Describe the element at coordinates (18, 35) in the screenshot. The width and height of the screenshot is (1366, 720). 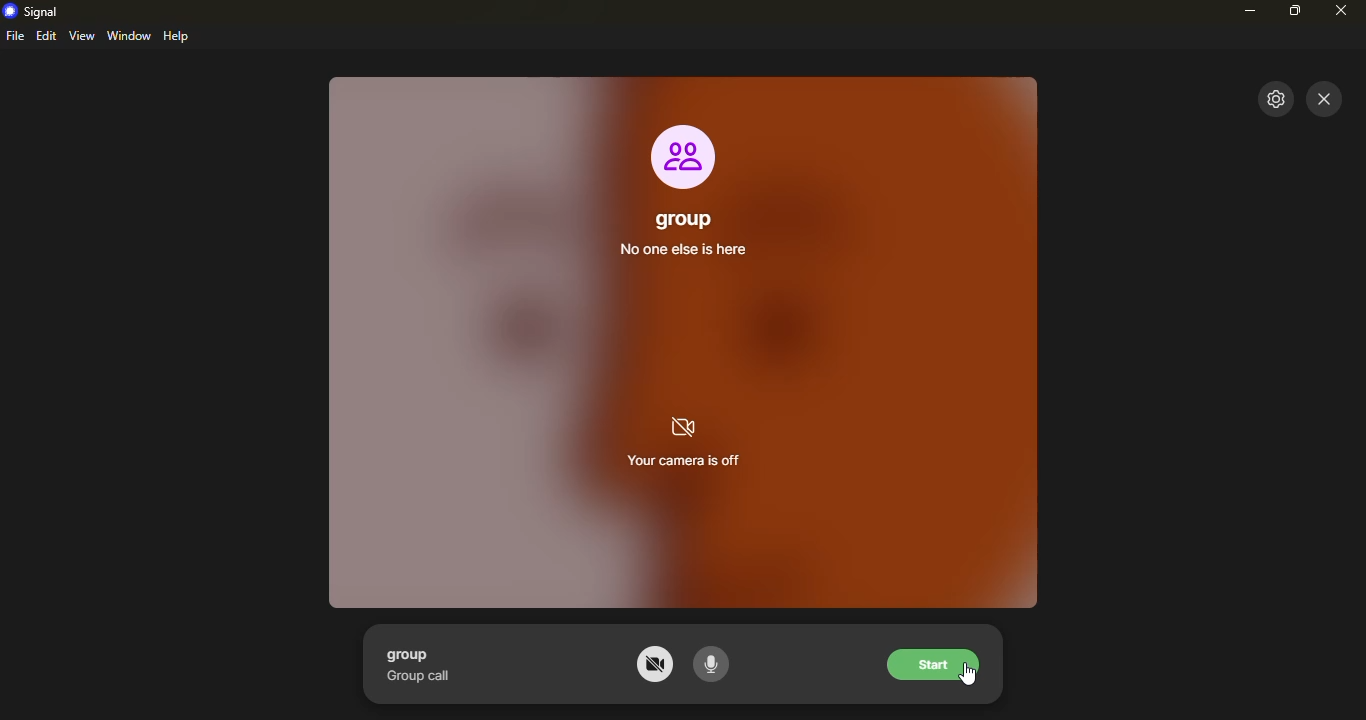
I see `file` at that location.